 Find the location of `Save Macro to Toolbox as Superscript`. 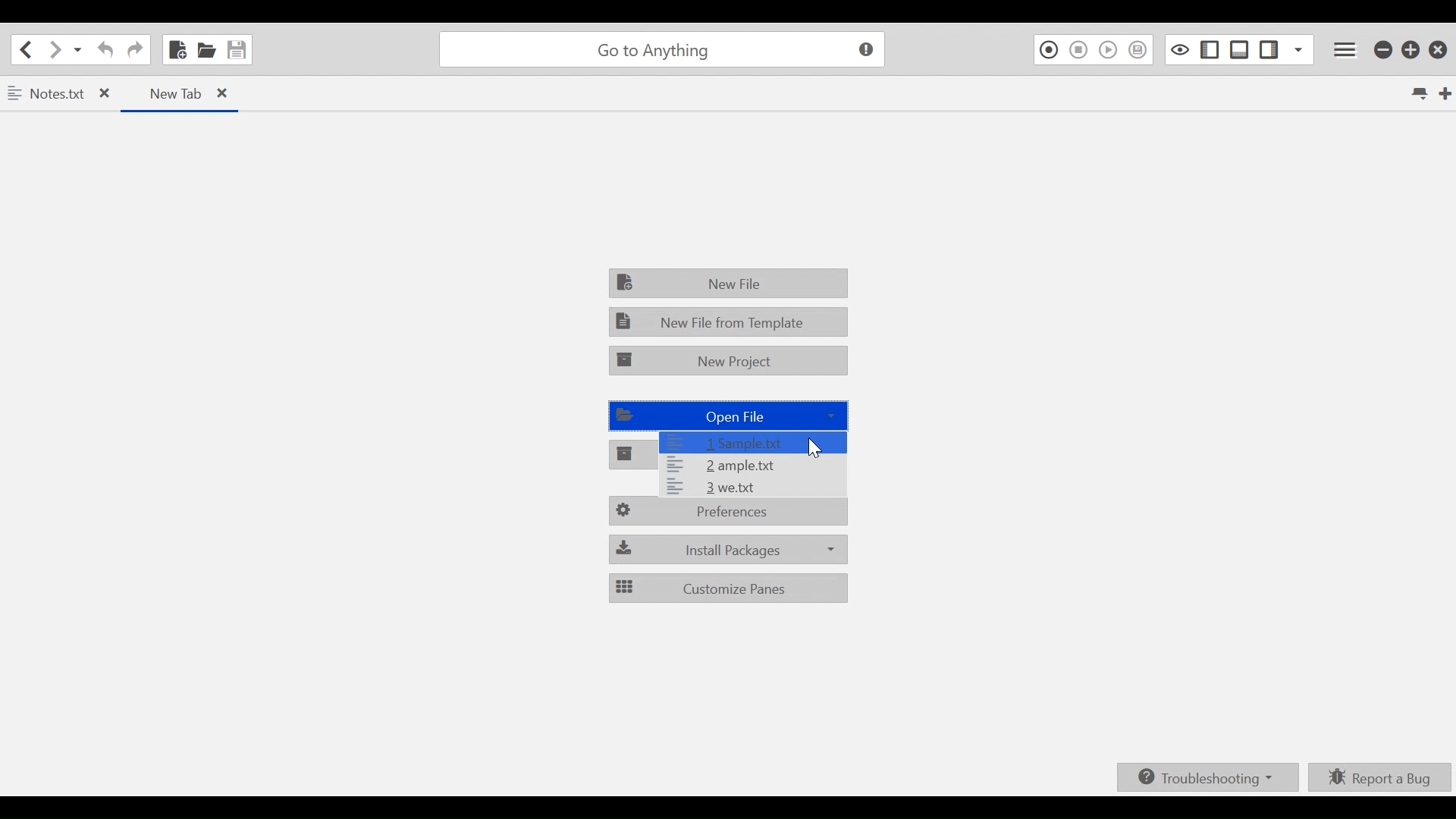

Save Macro to Toolbox as Superscript is located at coordinates (1139, 50).